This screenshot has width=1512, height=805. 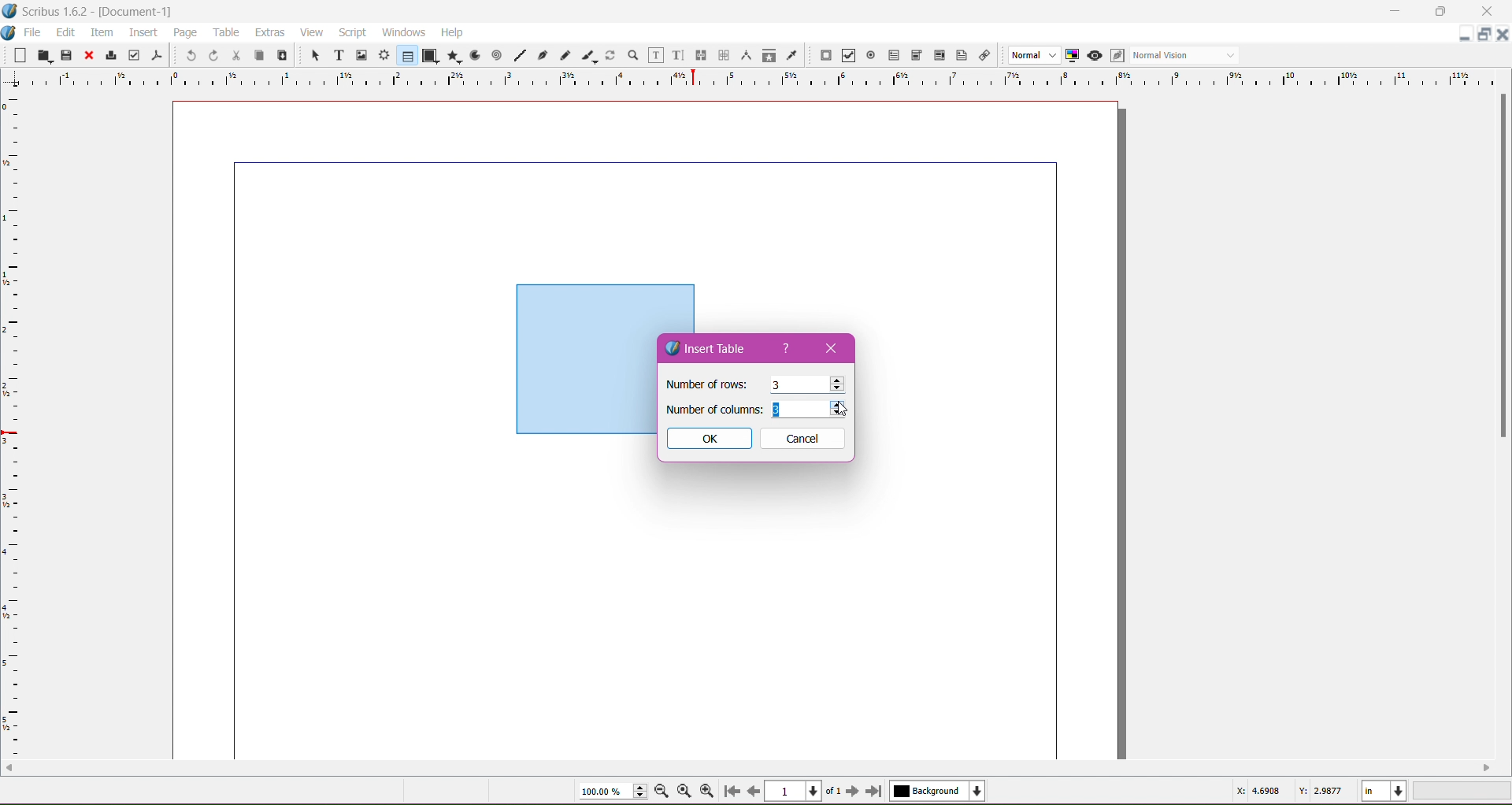 I want to click on Cancel, so click(x=803, y=439).